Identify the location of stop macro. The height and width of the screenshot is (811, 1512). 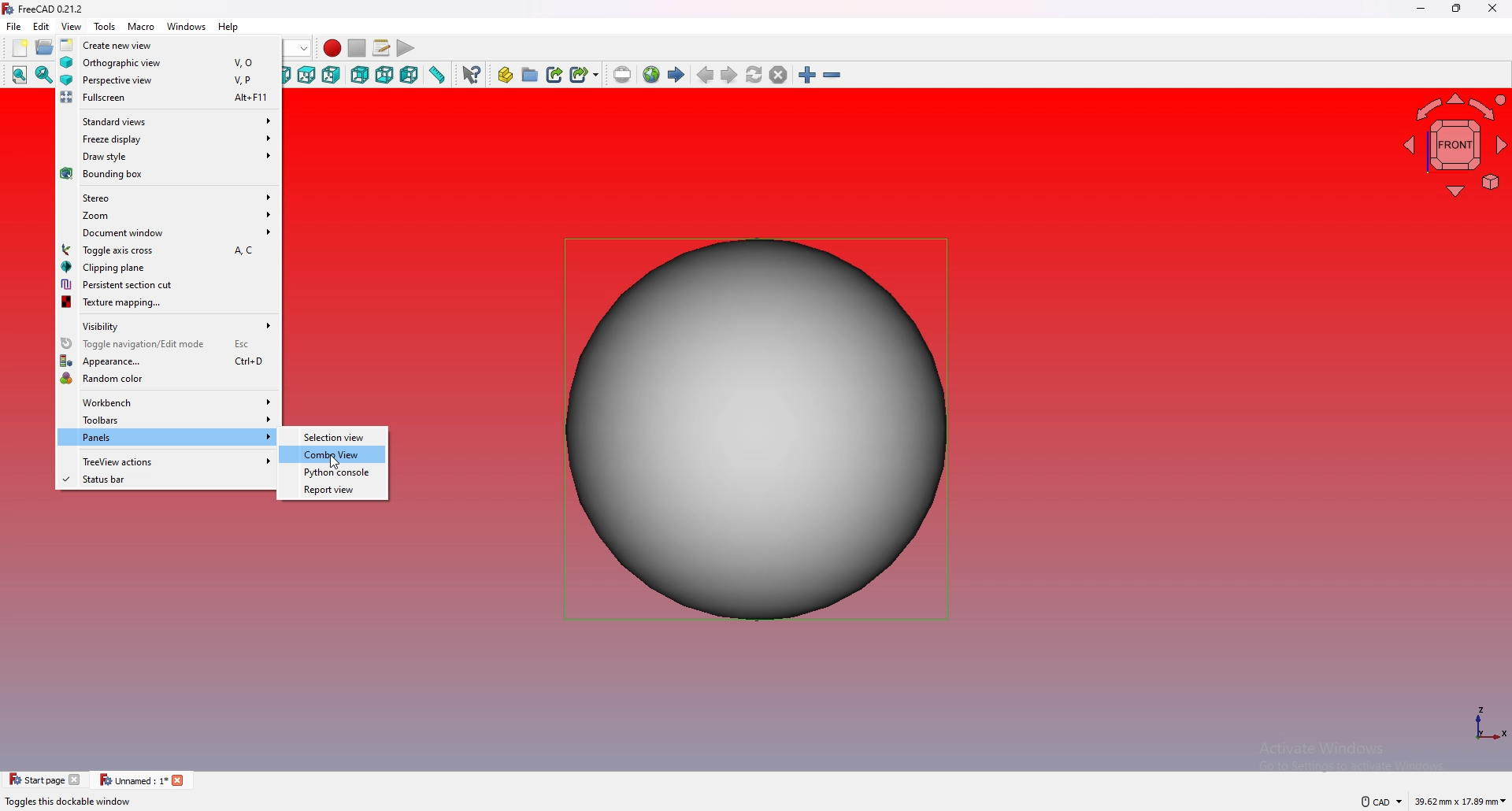
(358, 48).